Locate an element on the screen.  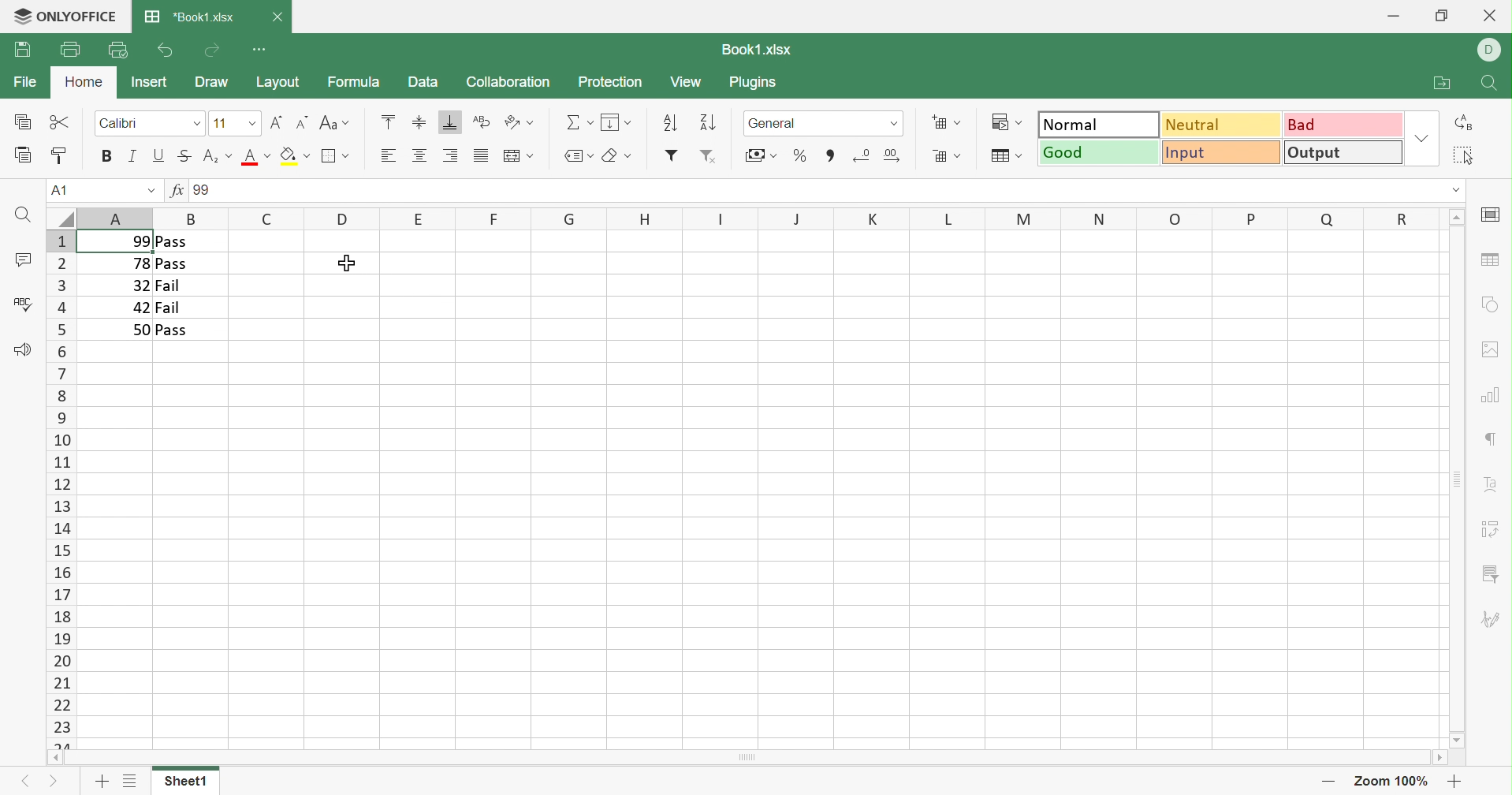
Print file is located at coordinates (70, 49).